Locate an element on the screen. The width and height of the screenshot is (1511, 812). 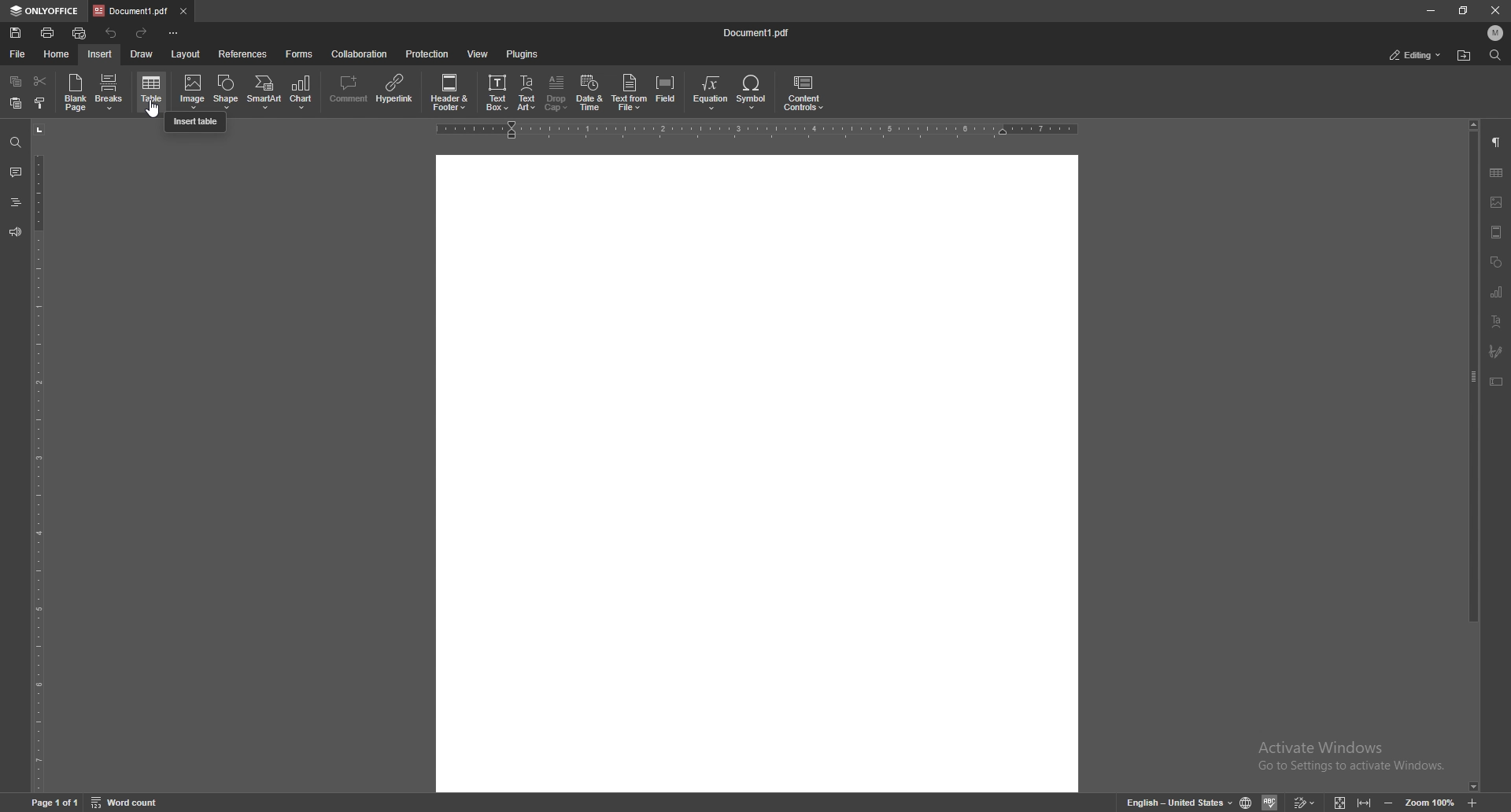
fit to width is located at coordinates (1365, 803).